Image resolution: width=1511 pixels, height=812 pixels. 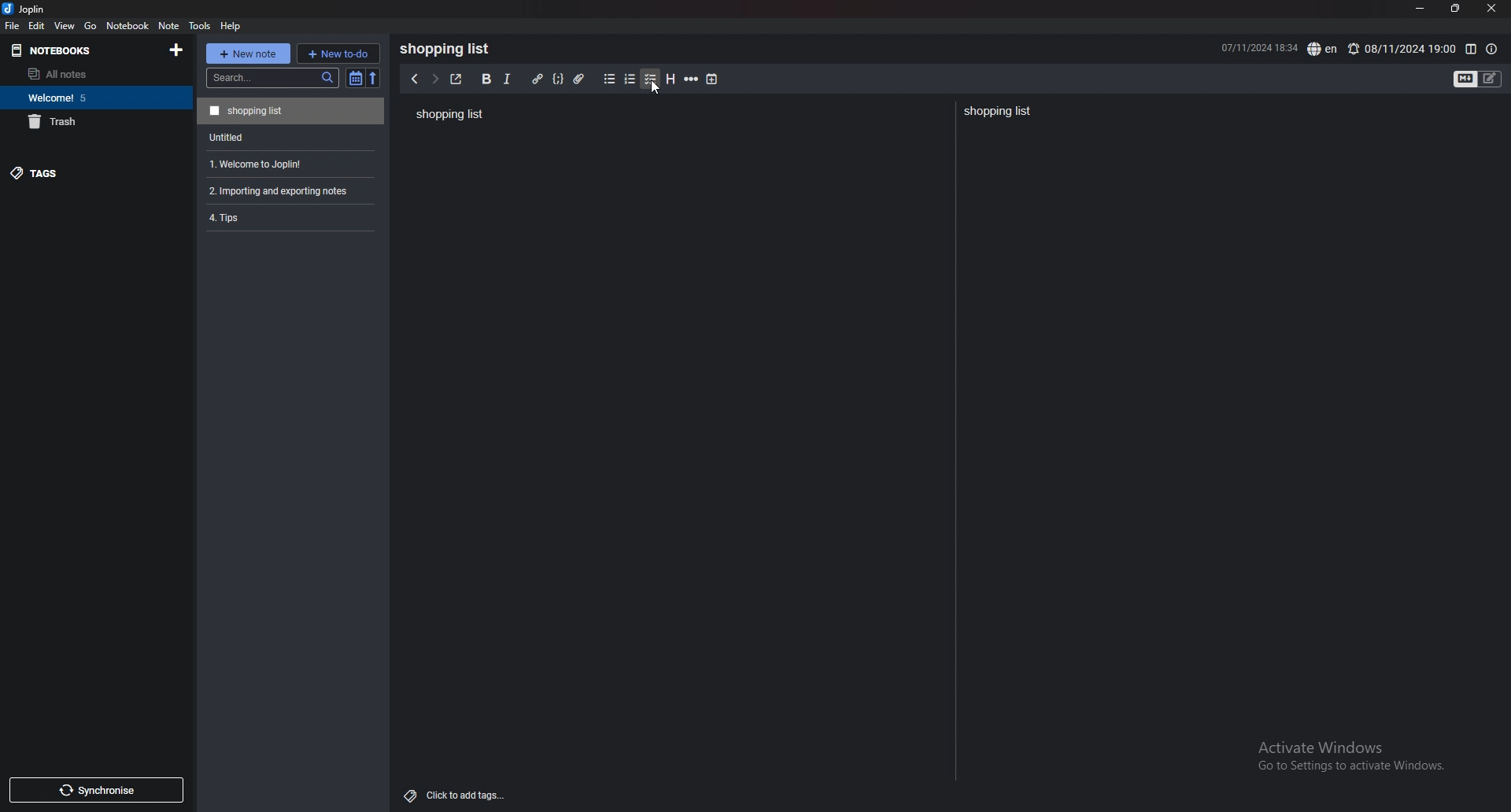 I want to click on Cursor, so click(x=653, y=88).